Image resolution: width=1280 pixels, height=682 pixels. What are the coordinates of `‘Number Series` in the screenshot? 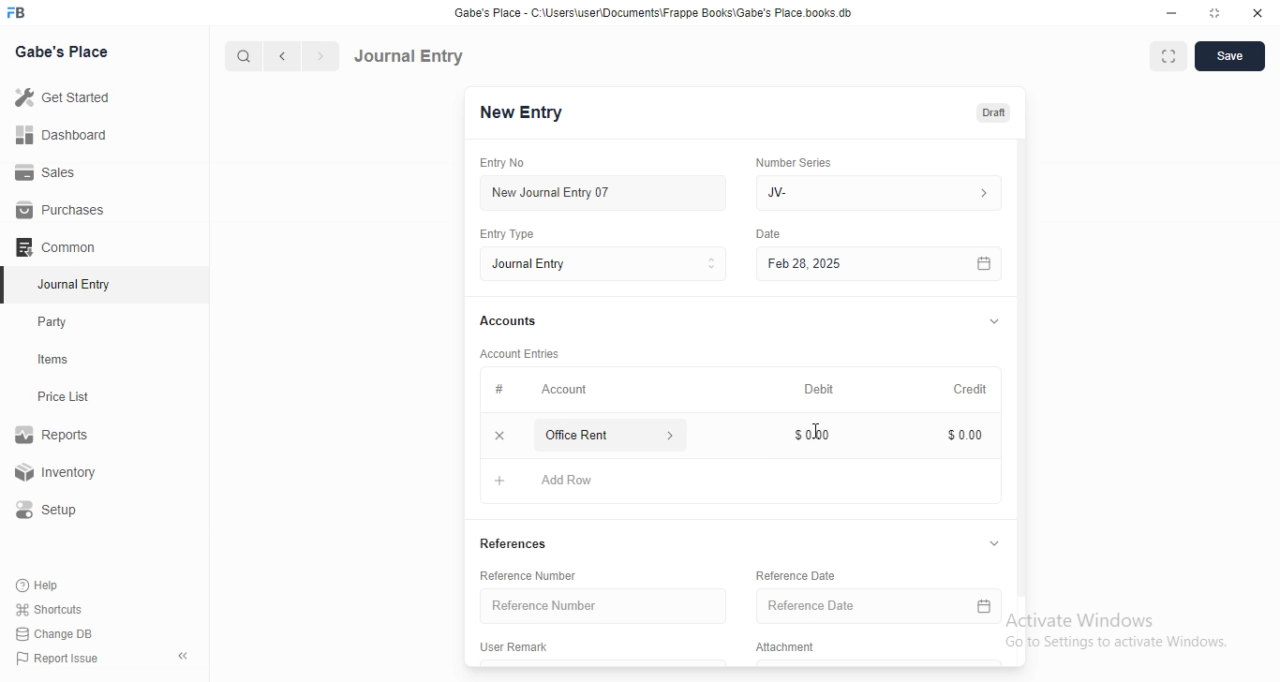 It's located at (792, 162).